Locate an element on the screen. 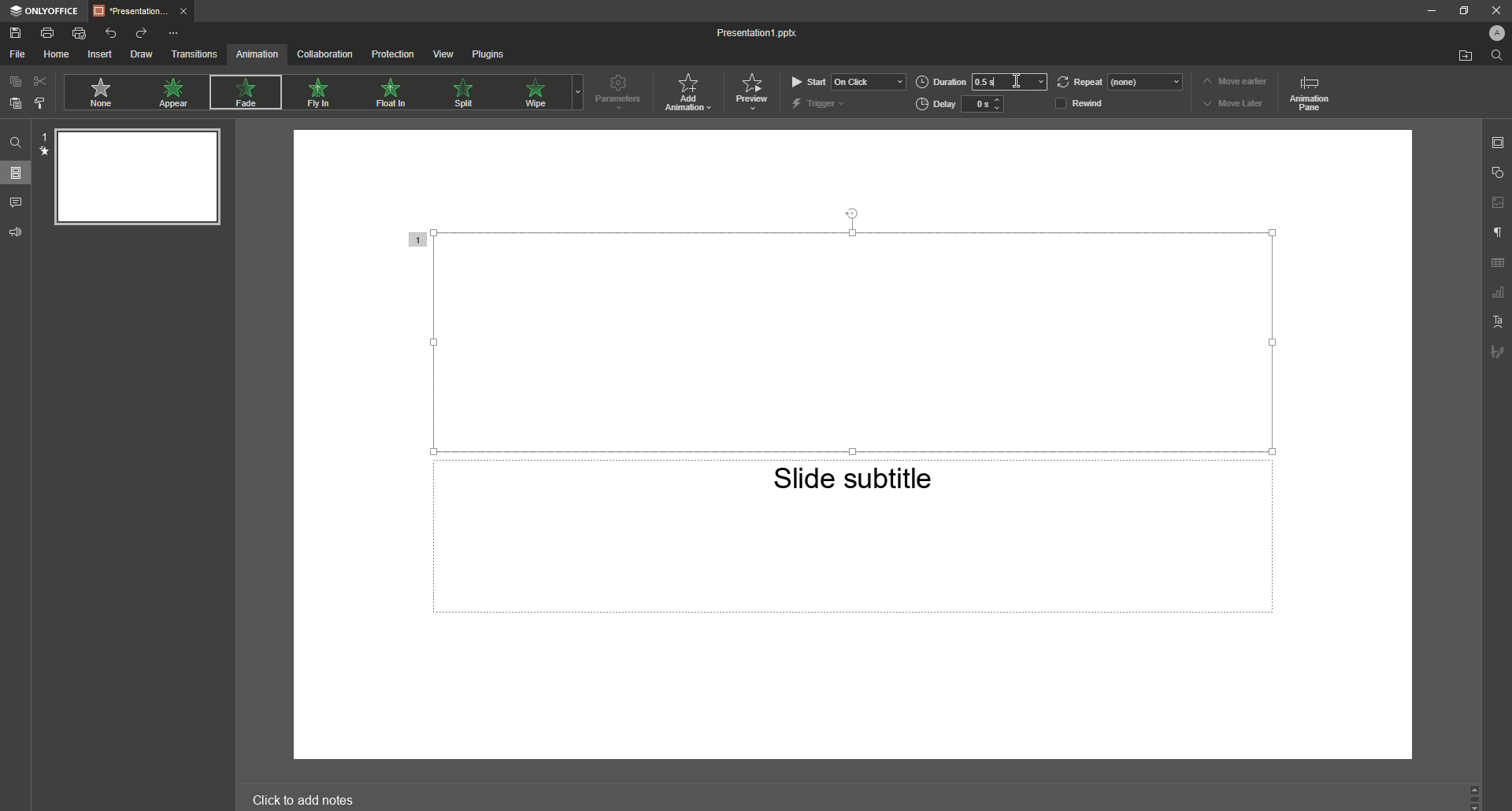 The width and height of the screenshot is (1512, 811). Start is located at coordinates (845, 81).